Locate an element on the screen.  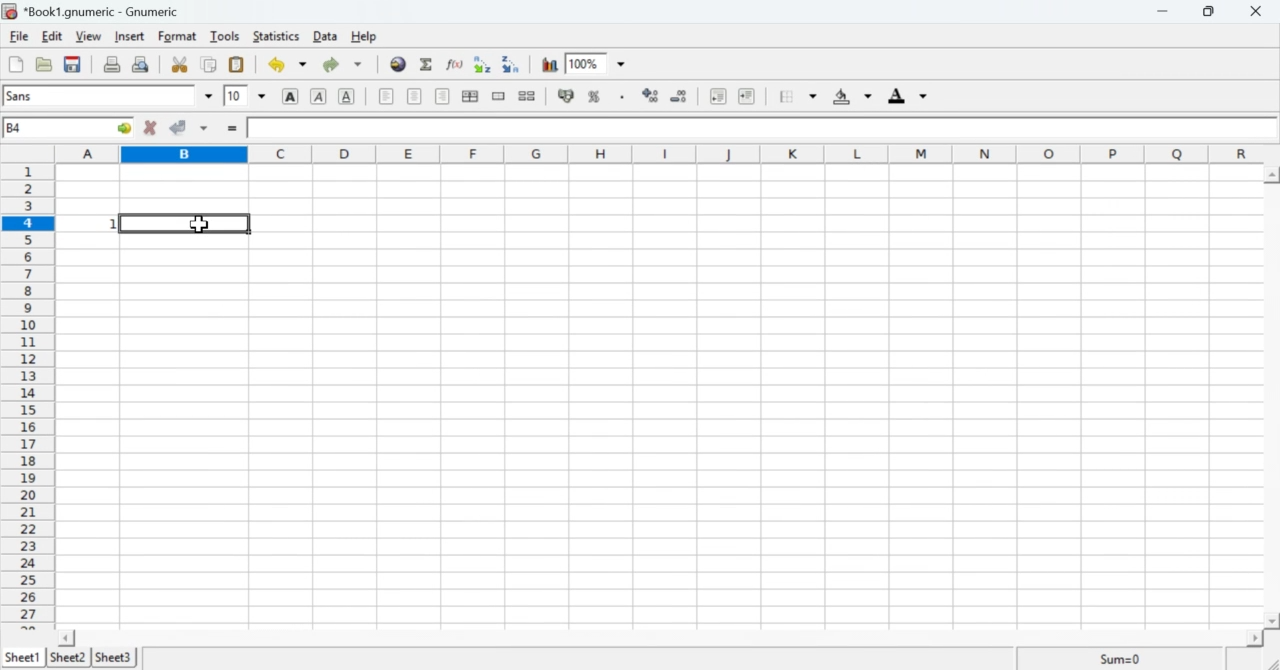
Statistics is located at coordinates (277, 36).